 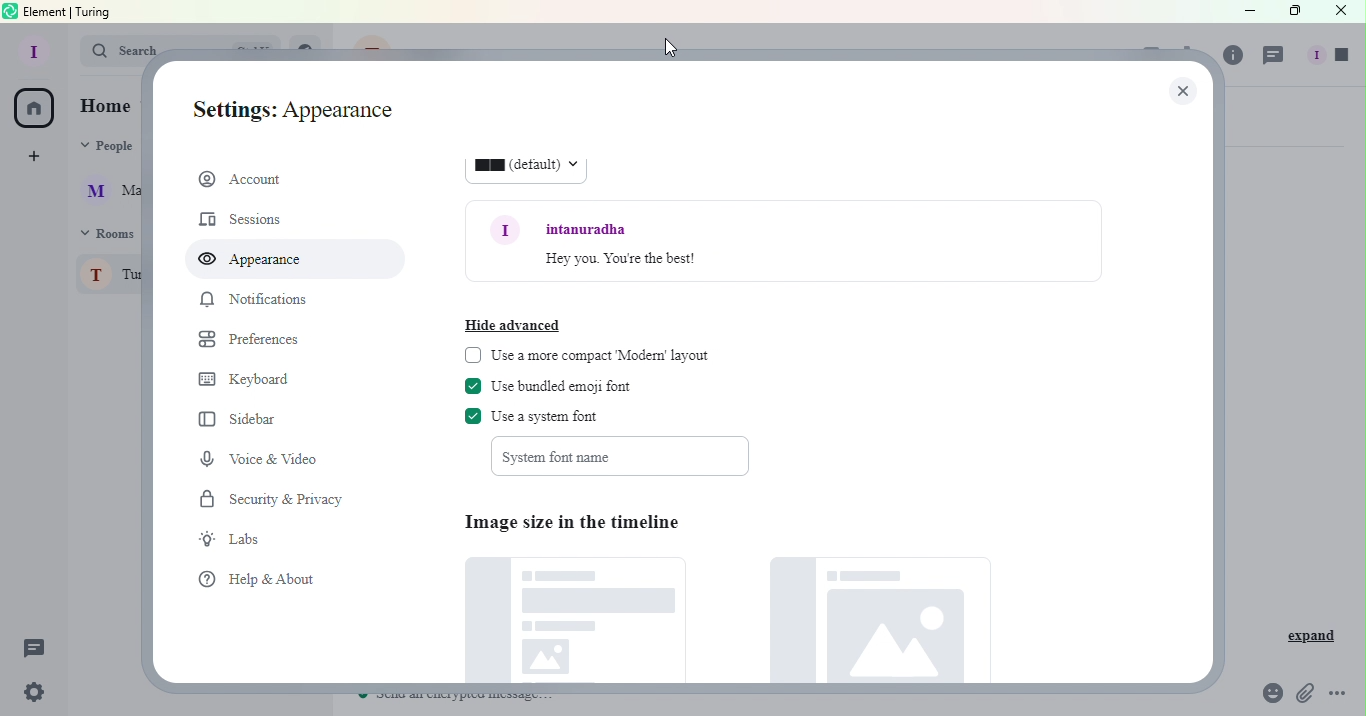 What do you see at coordinates (875, 617) in the screenshot?
I see `Large` at bounding box center [875, 617].